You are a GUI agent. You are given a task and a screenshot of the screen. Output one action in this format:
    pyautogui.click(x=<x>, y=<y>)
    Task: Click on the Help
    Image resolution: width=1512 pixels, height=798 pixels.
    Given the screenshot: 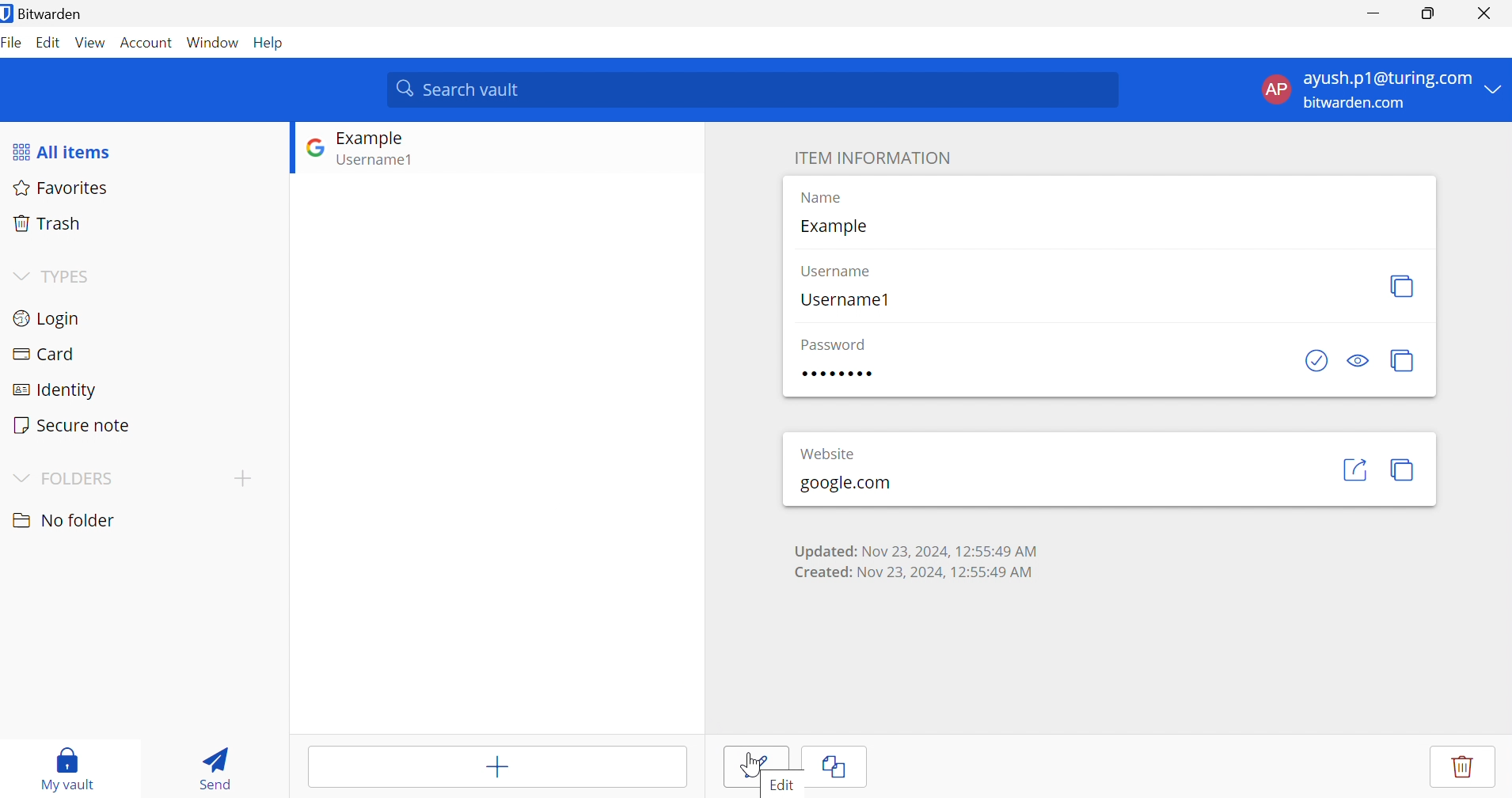 What is the action you would take?
    pyautogui.click(x=272, y=43)
    